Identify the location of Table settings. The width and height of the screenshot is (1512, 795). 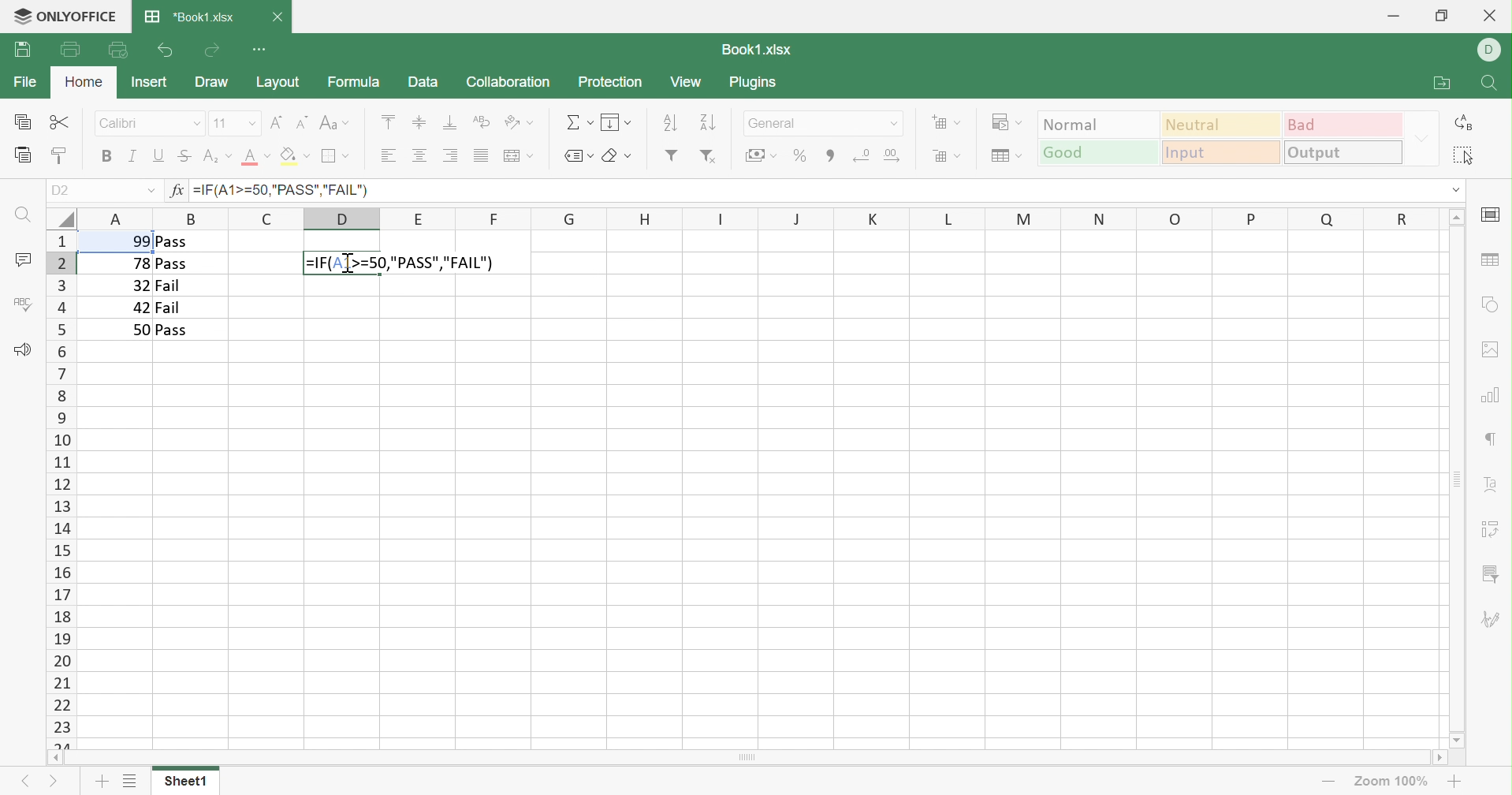
(1489, 259).